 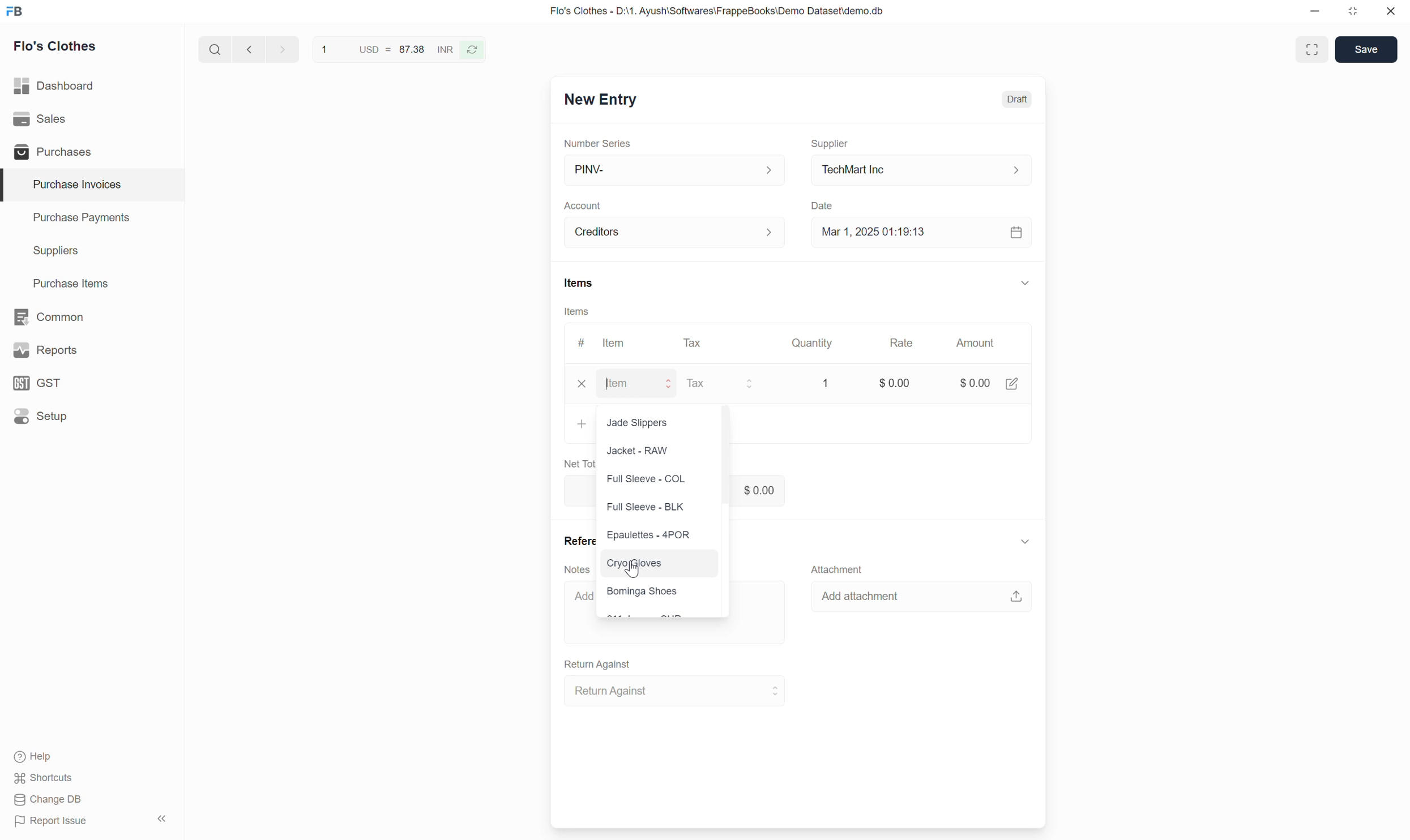 What do you see at coordinates (716, 11) in the screenshot?
I see `Flo's Clothes - D:\1. Ayush\Softwares\FrappeBooks\Demo Dataset\demo.db` at bounding box center [716, 11].